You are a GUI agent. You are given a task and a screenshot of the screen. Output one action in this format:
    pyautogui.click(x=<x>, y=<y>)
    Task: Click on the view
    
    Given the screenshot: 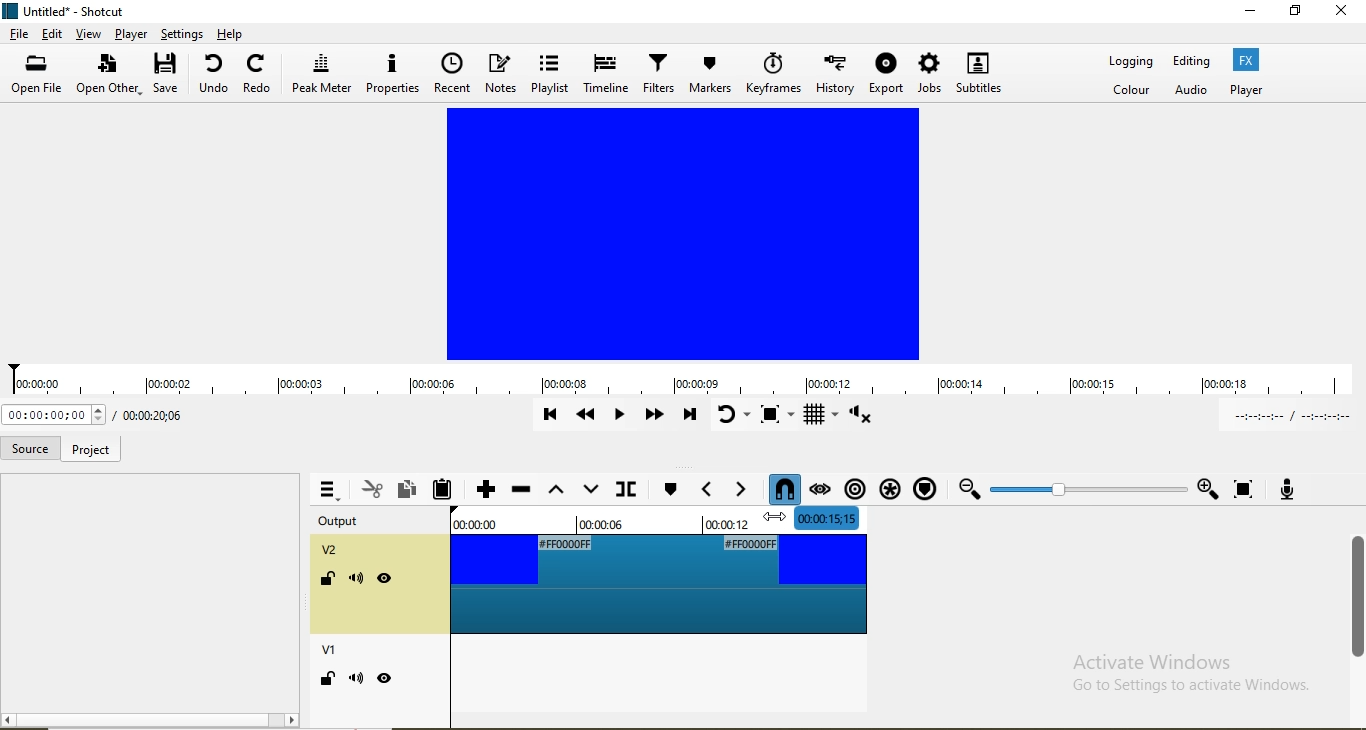 What is the action you would take?
    pyautogui.click(x=87, y=36)
    